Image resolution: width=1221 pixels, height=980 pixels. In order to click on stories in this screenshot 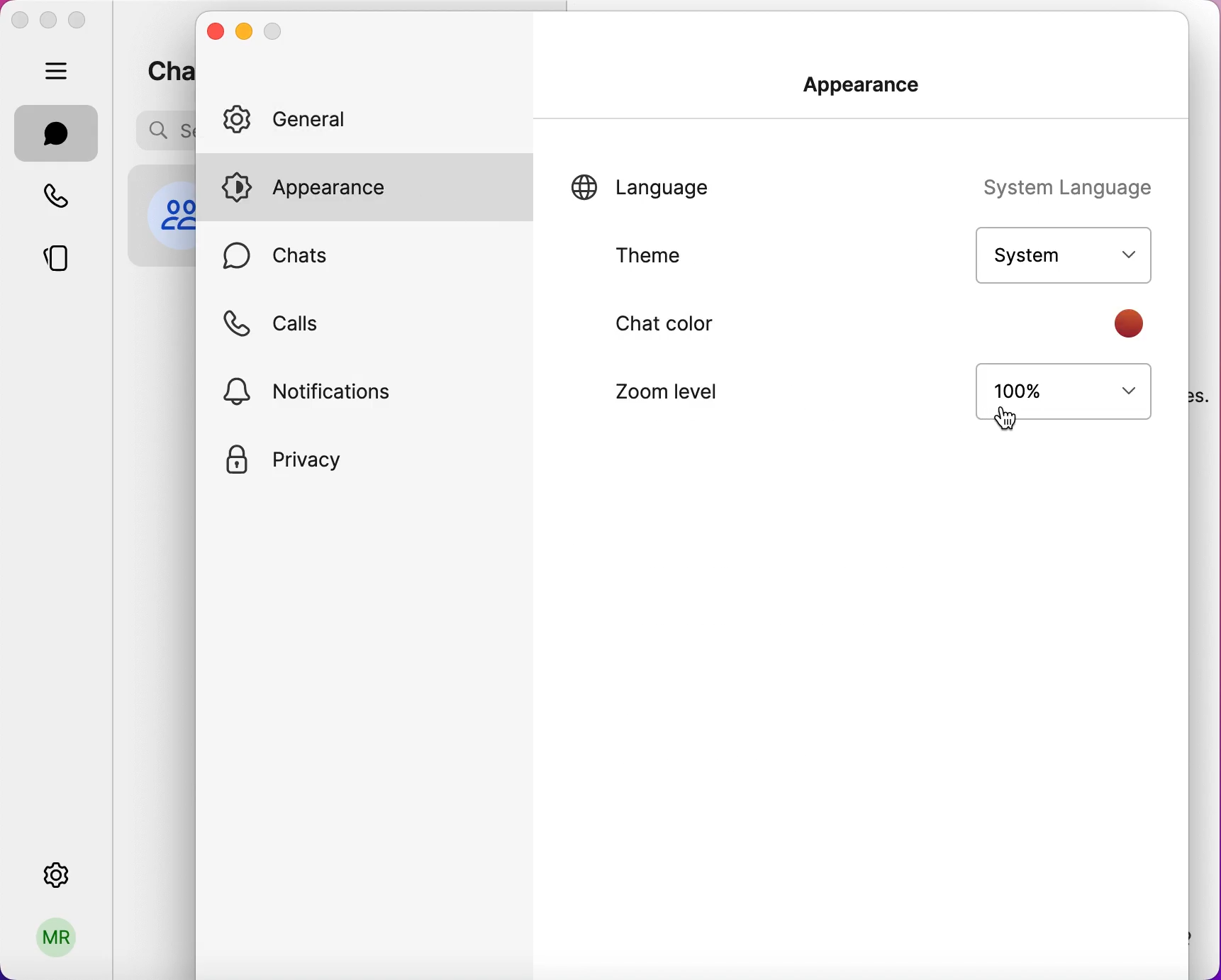, I will do `click(52, 262)`.